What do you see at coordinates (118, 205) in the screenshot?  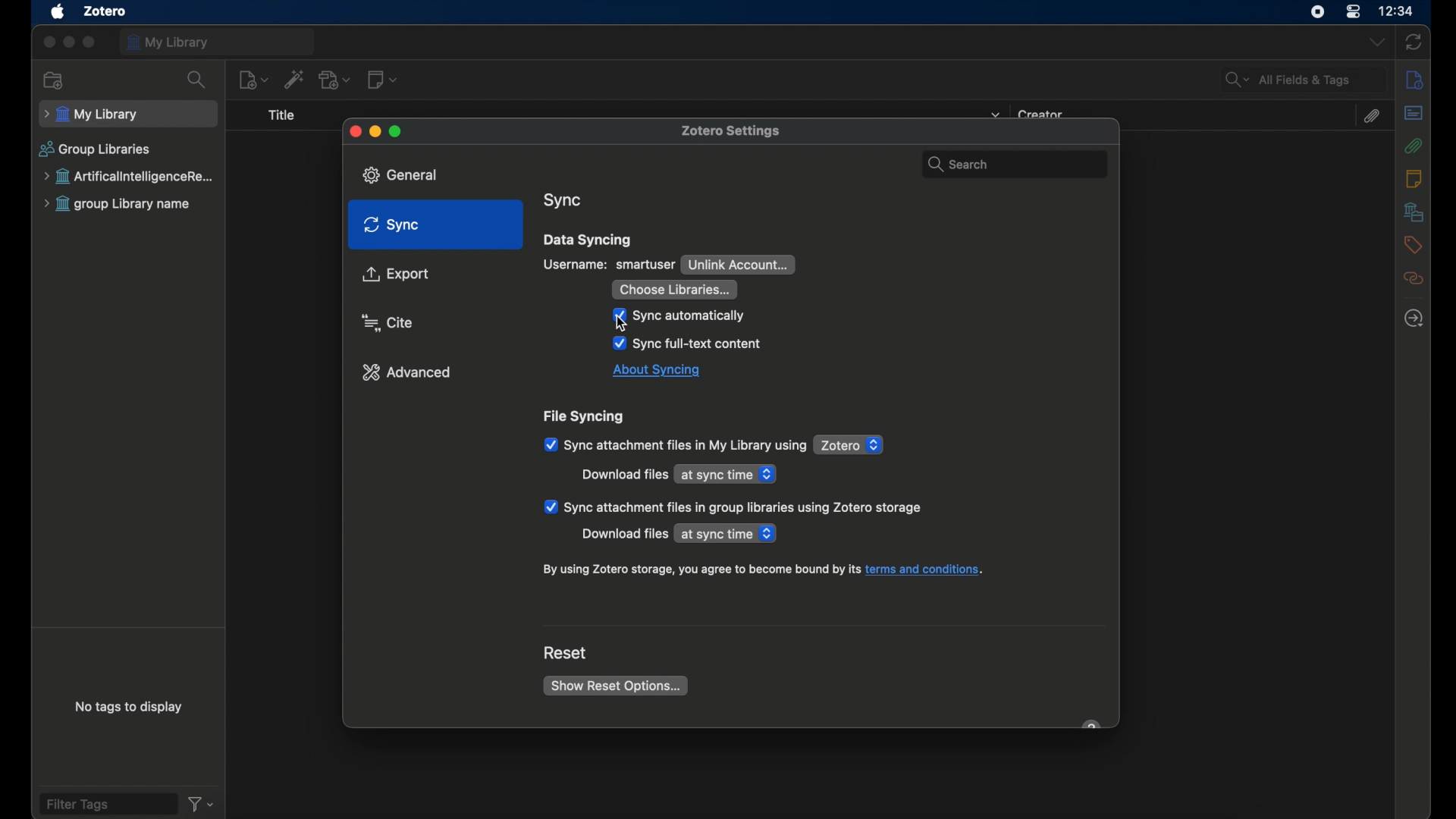 I see `group library` at bounding box center [118, 205].